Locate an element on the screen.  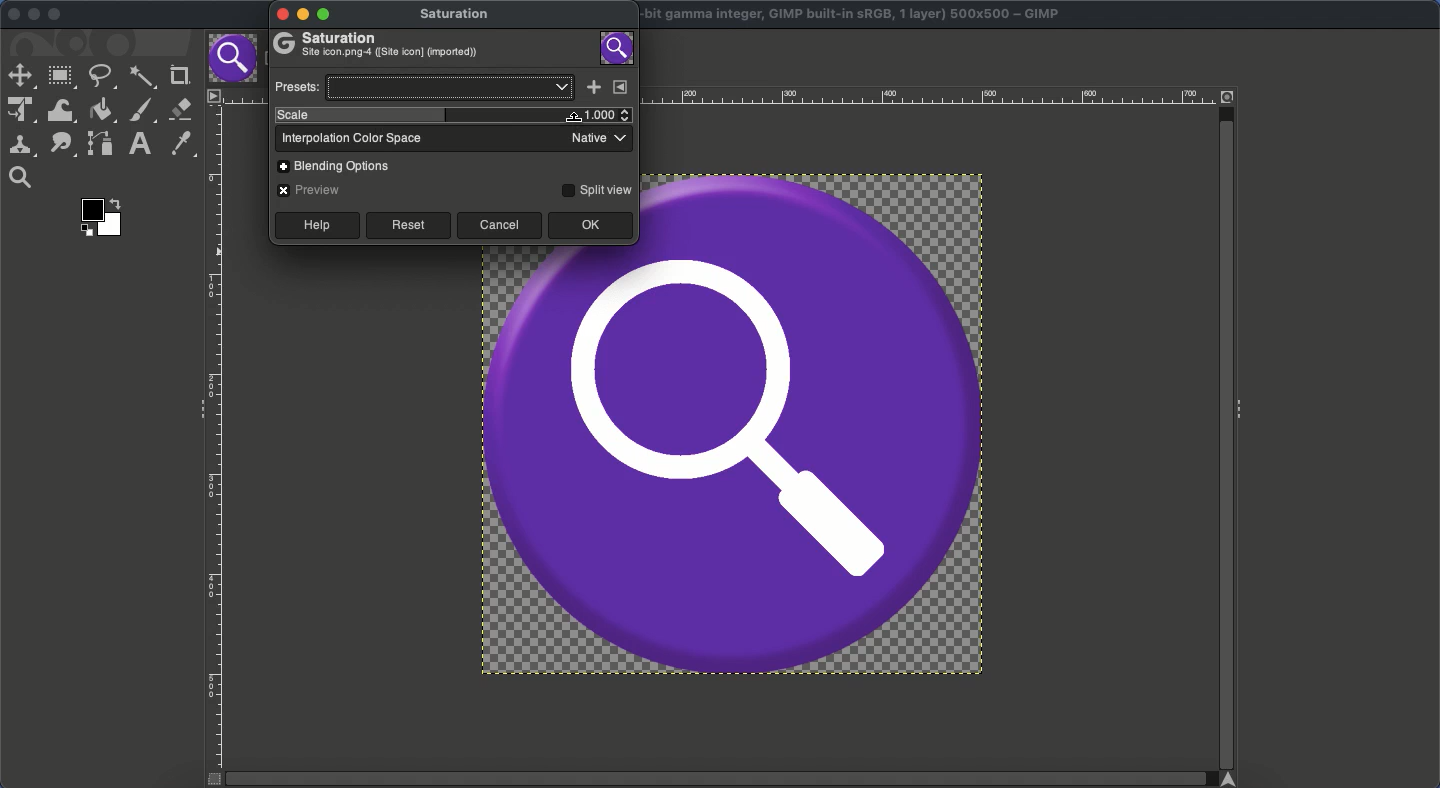
Add is located at coordinates (593, 88).